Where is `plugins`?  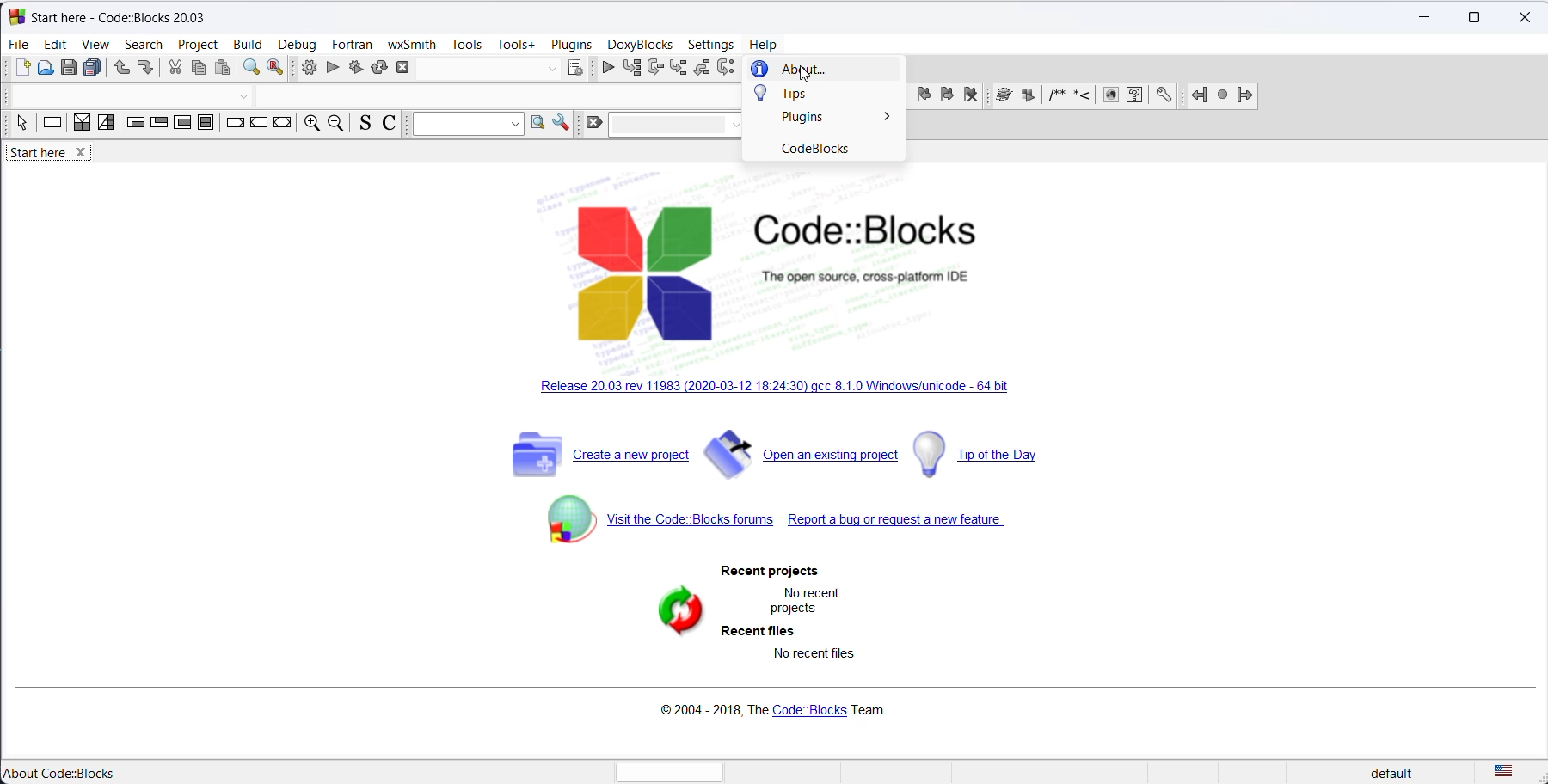 plugins is located at coordinates (570, 44).